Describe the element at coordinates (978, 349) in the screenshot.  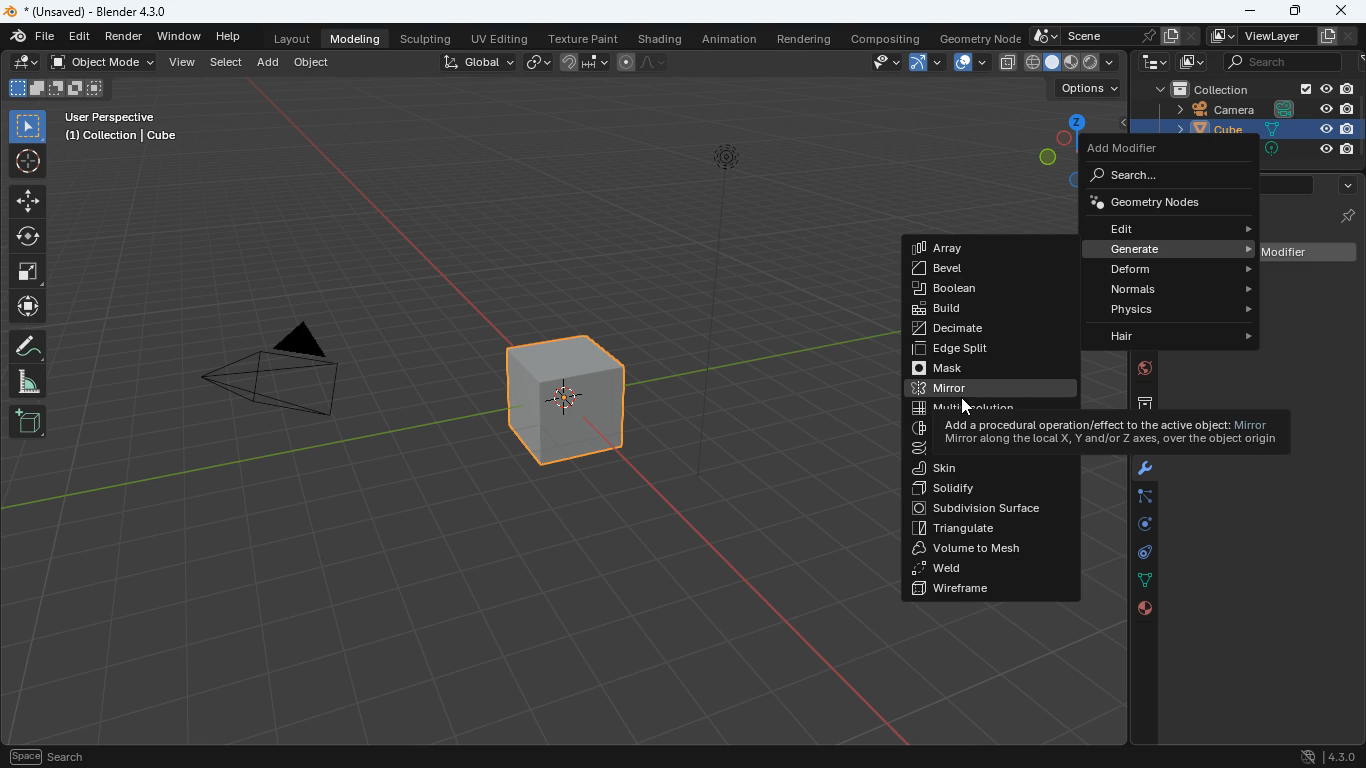
I see `edge split` at that location.